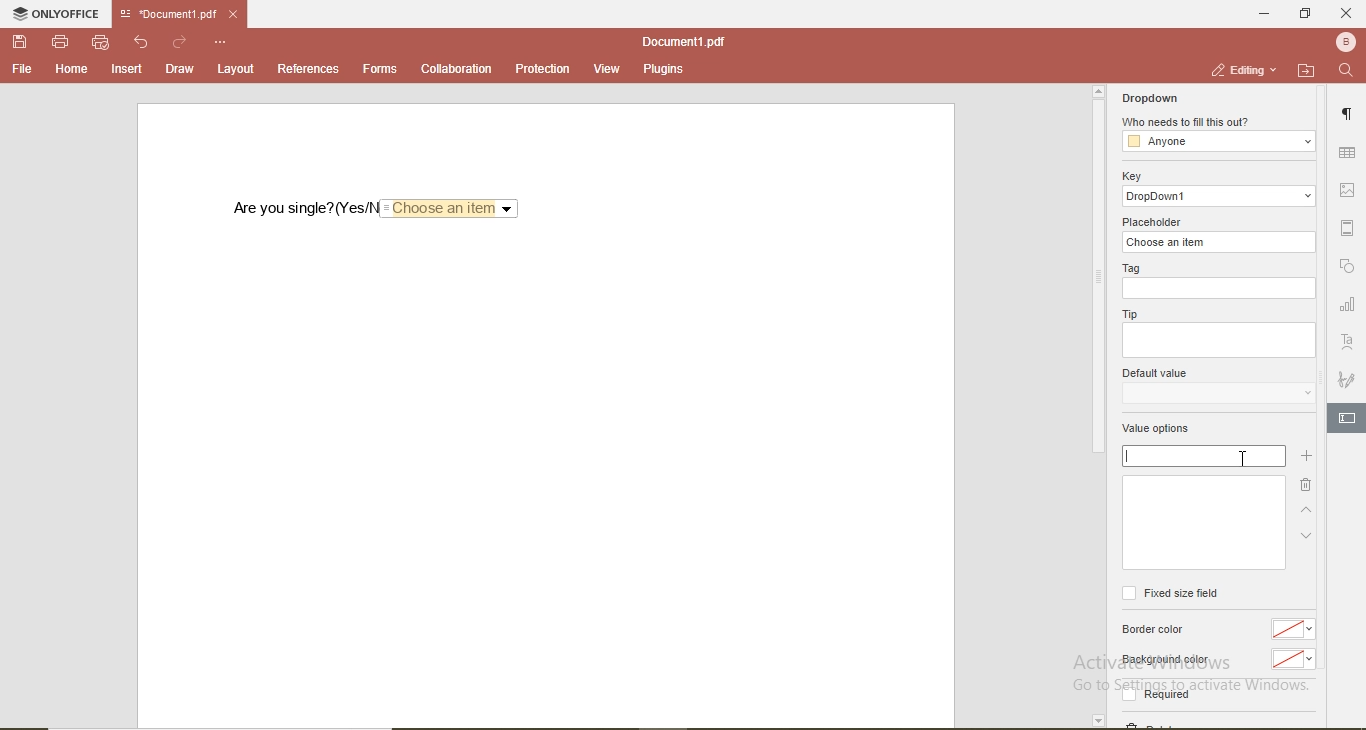 This screenshot has height=730, width=1366. Describe the element at coordinates (1262, 15) in the screenshot. I see `minimise` at that location.